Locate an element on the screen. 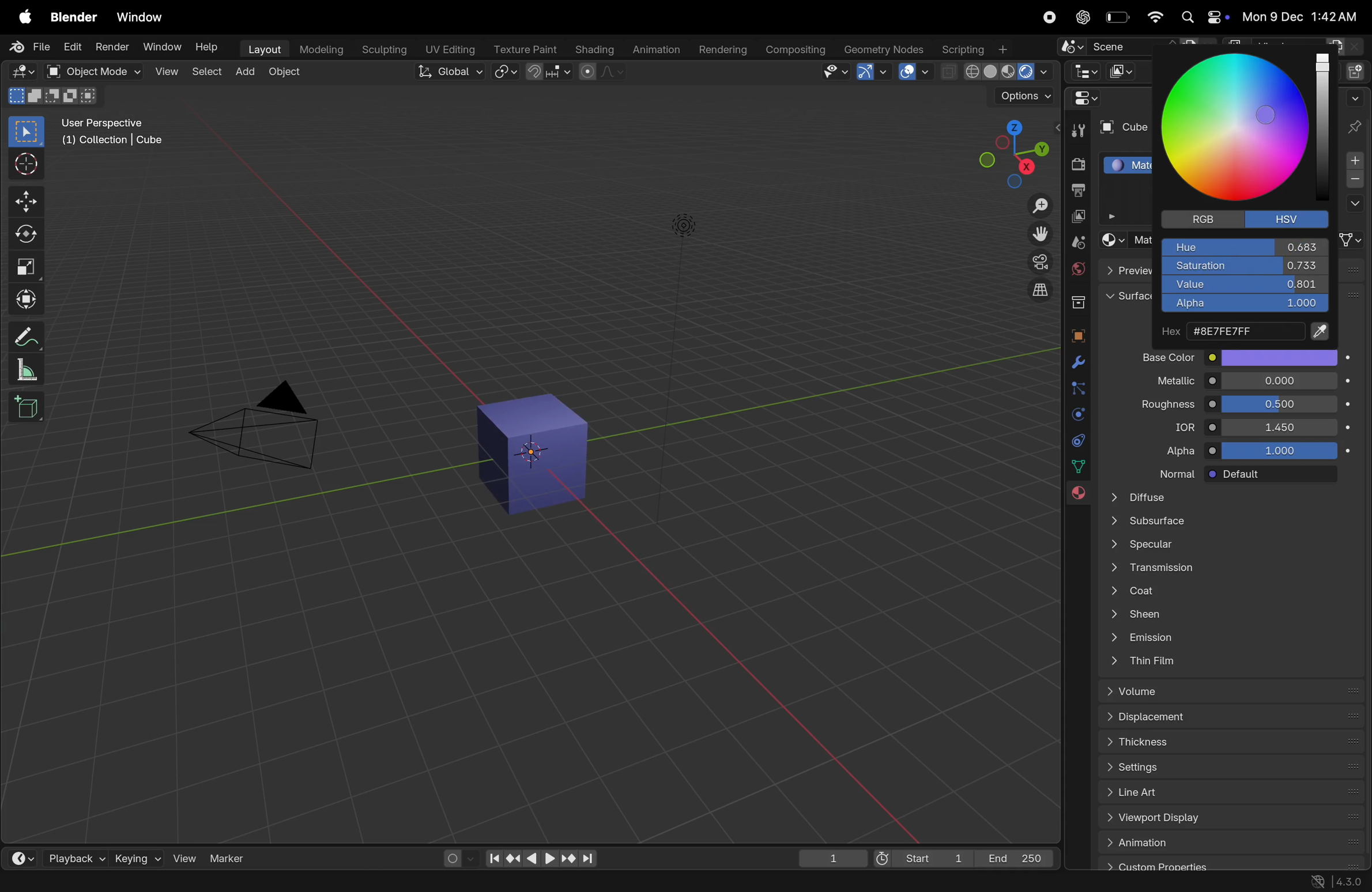 Image resolution: width=1372 pixels, height=892 pixels. show overlays is located at coordinates (916, 72).